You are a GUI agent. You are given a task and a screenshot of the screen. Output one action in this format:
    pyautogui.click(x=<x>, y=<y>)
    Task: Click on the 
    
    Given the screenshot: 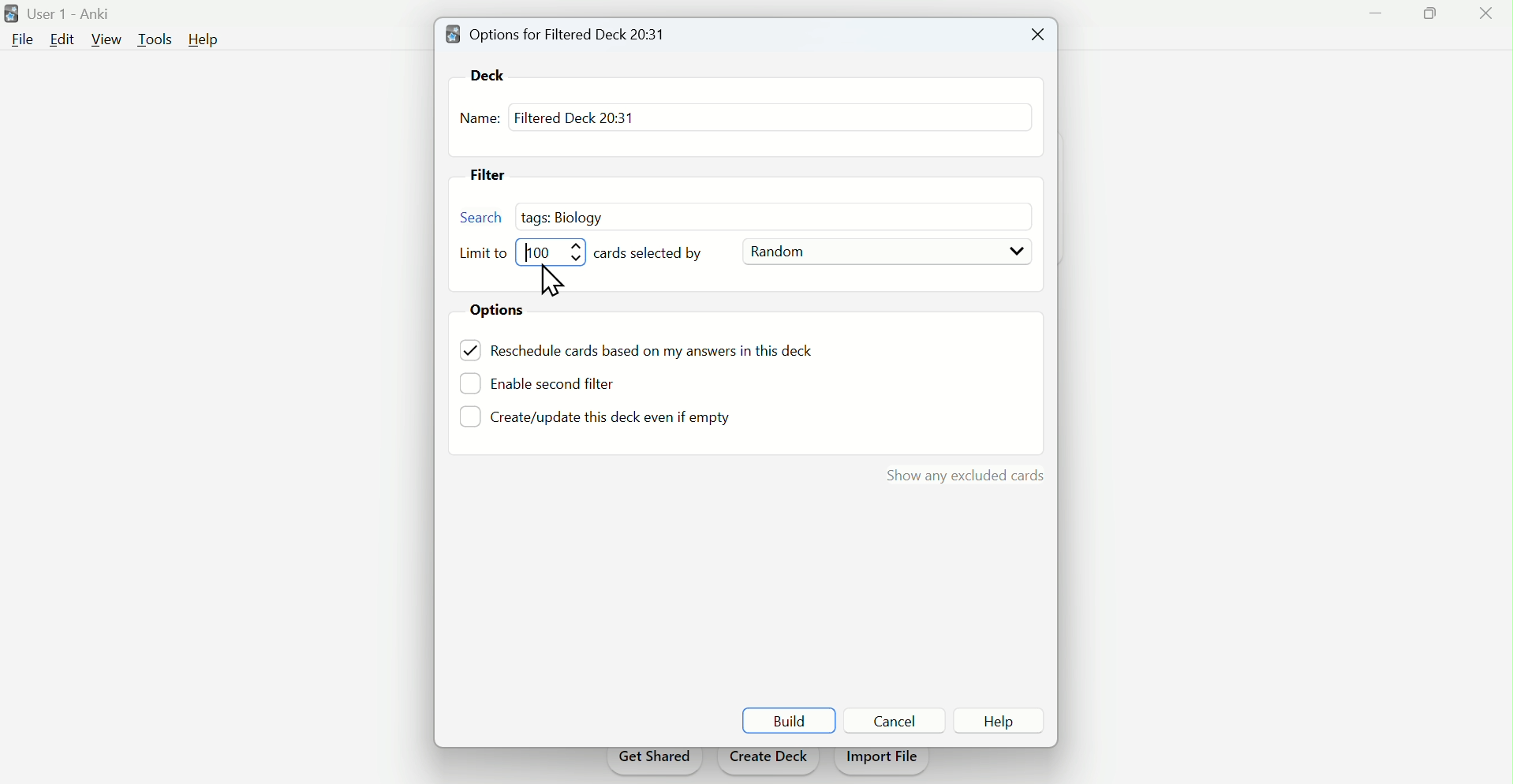 What is the action you would take?
    pyautogui.click(x=1012, y=722)
    